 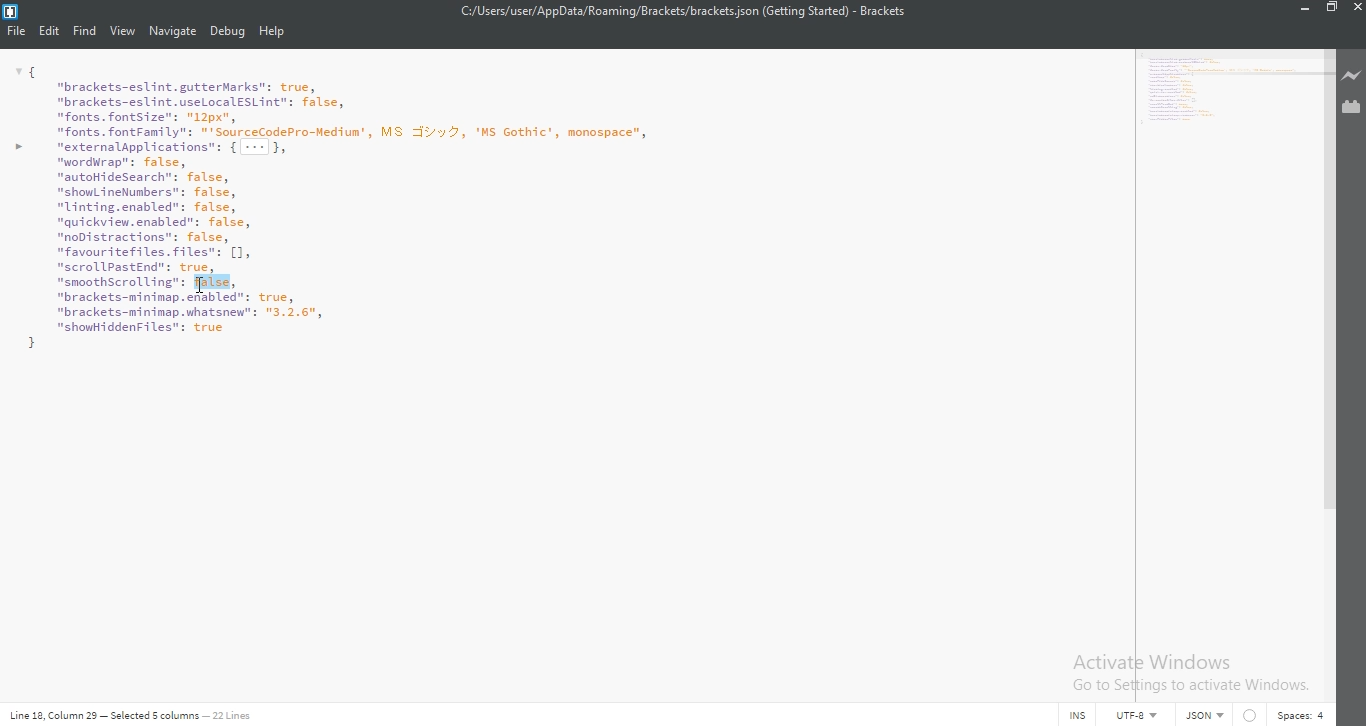 What do you see at coordinates (10, 12) in the screenshot?
I see `Brackets Desktop Icon` at bounding box center [10, 12].